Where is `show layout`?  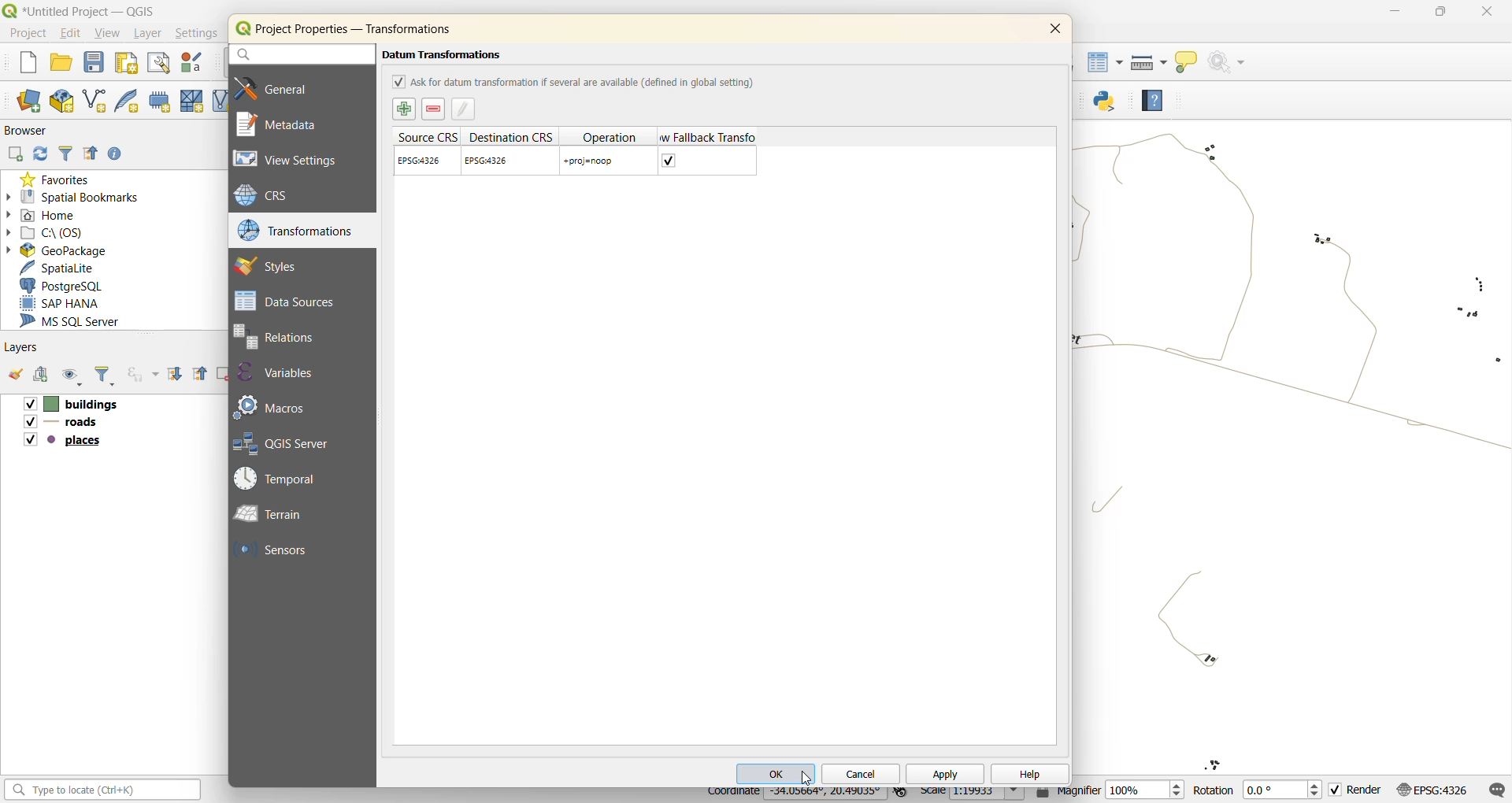 show layout is located at coordinates (154, 63).